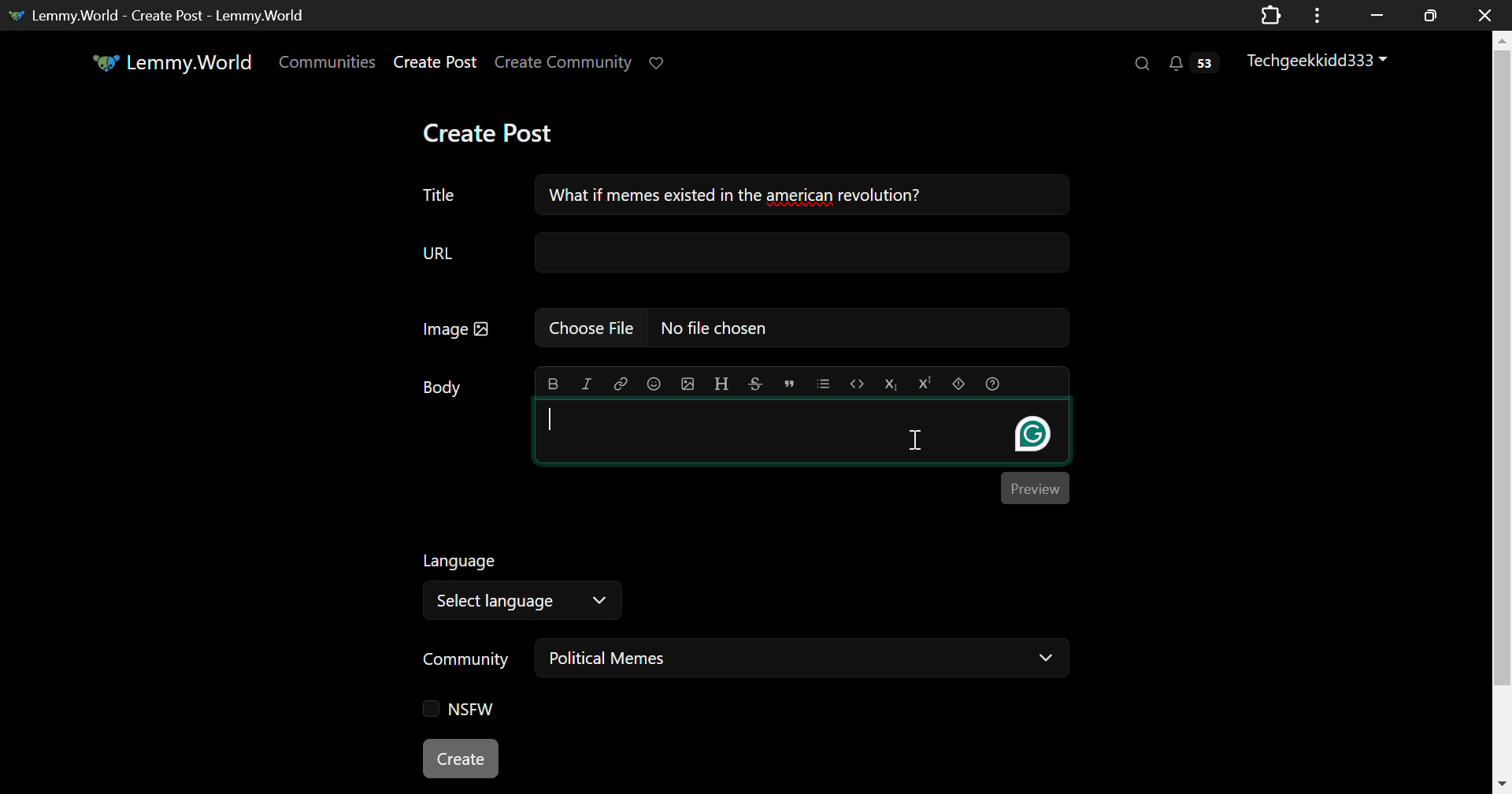  I want to click on Notifications, so click(1197, 65).